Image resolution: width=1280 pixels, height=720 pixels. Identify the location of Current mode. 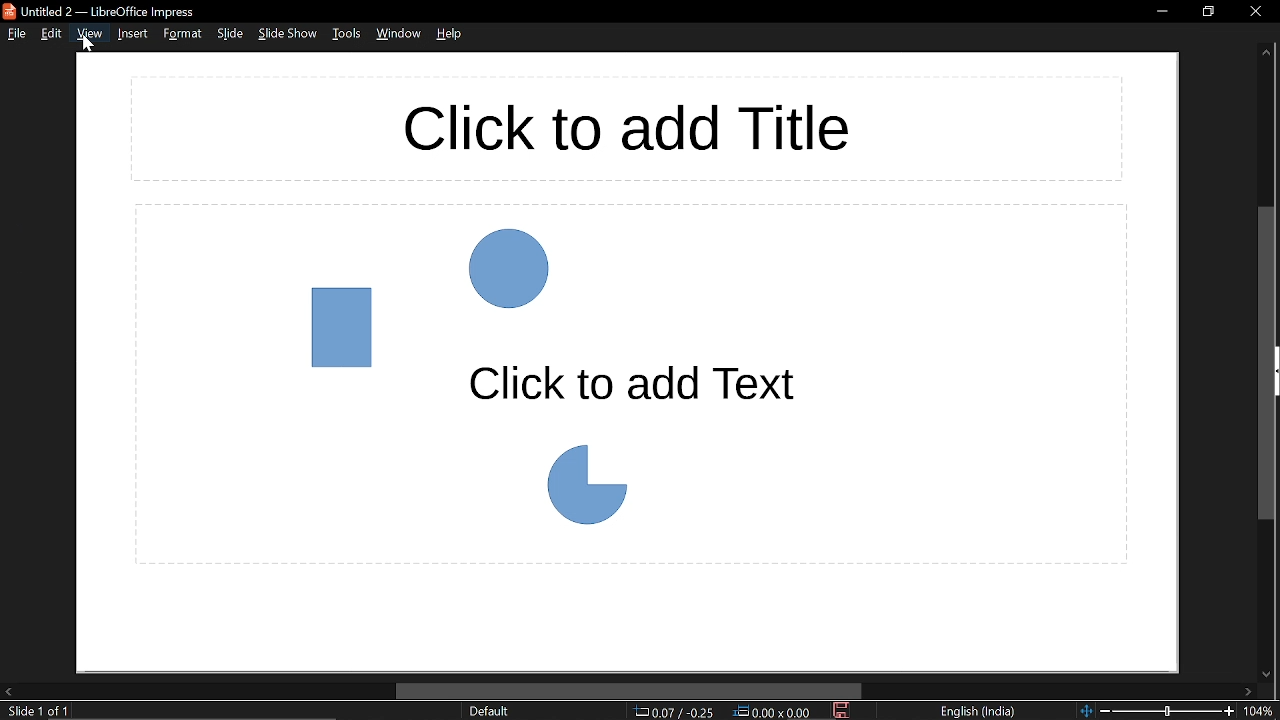
(493, 712).